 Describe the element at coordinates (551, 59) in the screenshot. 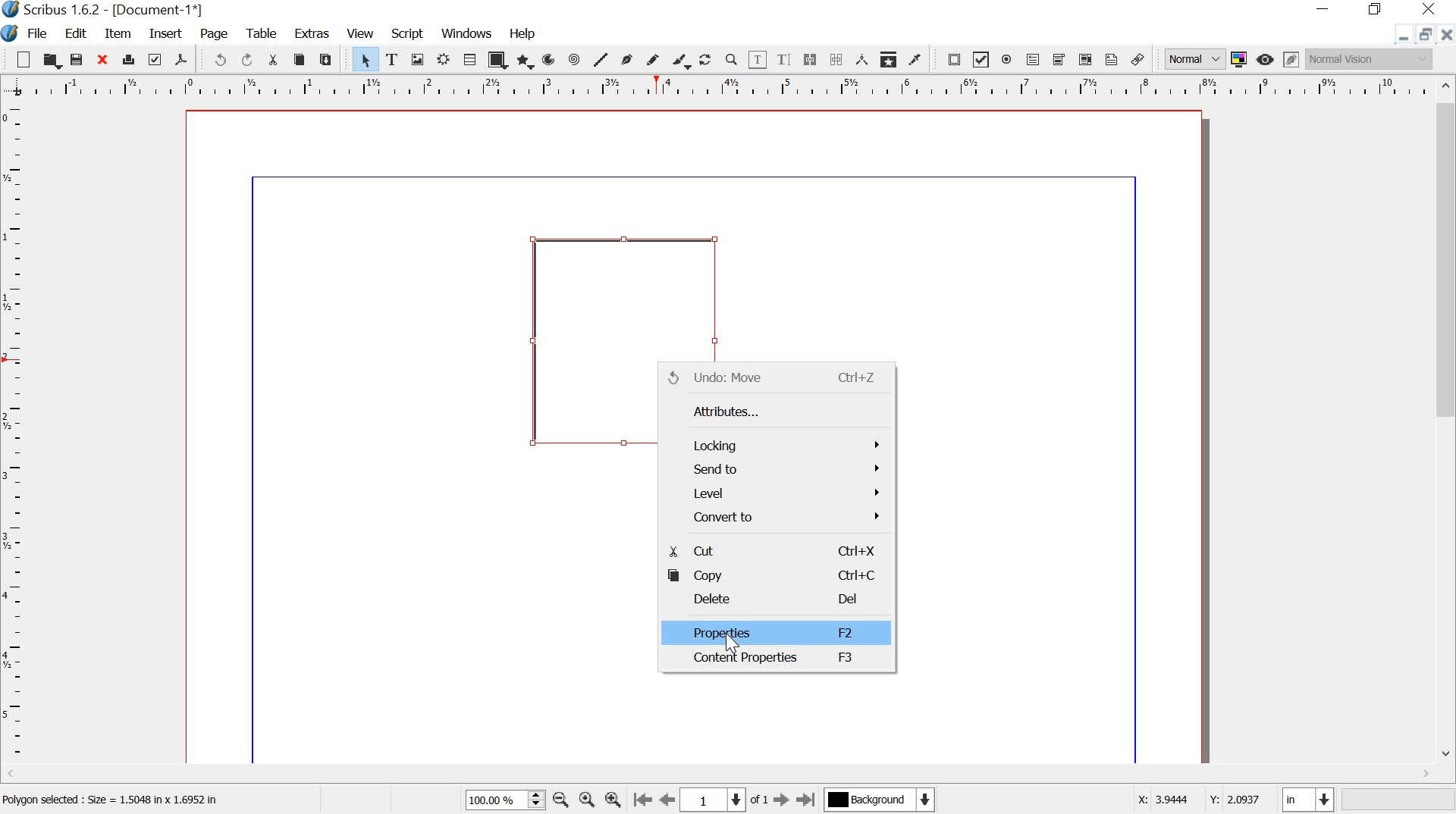

I see `arc` at that location.